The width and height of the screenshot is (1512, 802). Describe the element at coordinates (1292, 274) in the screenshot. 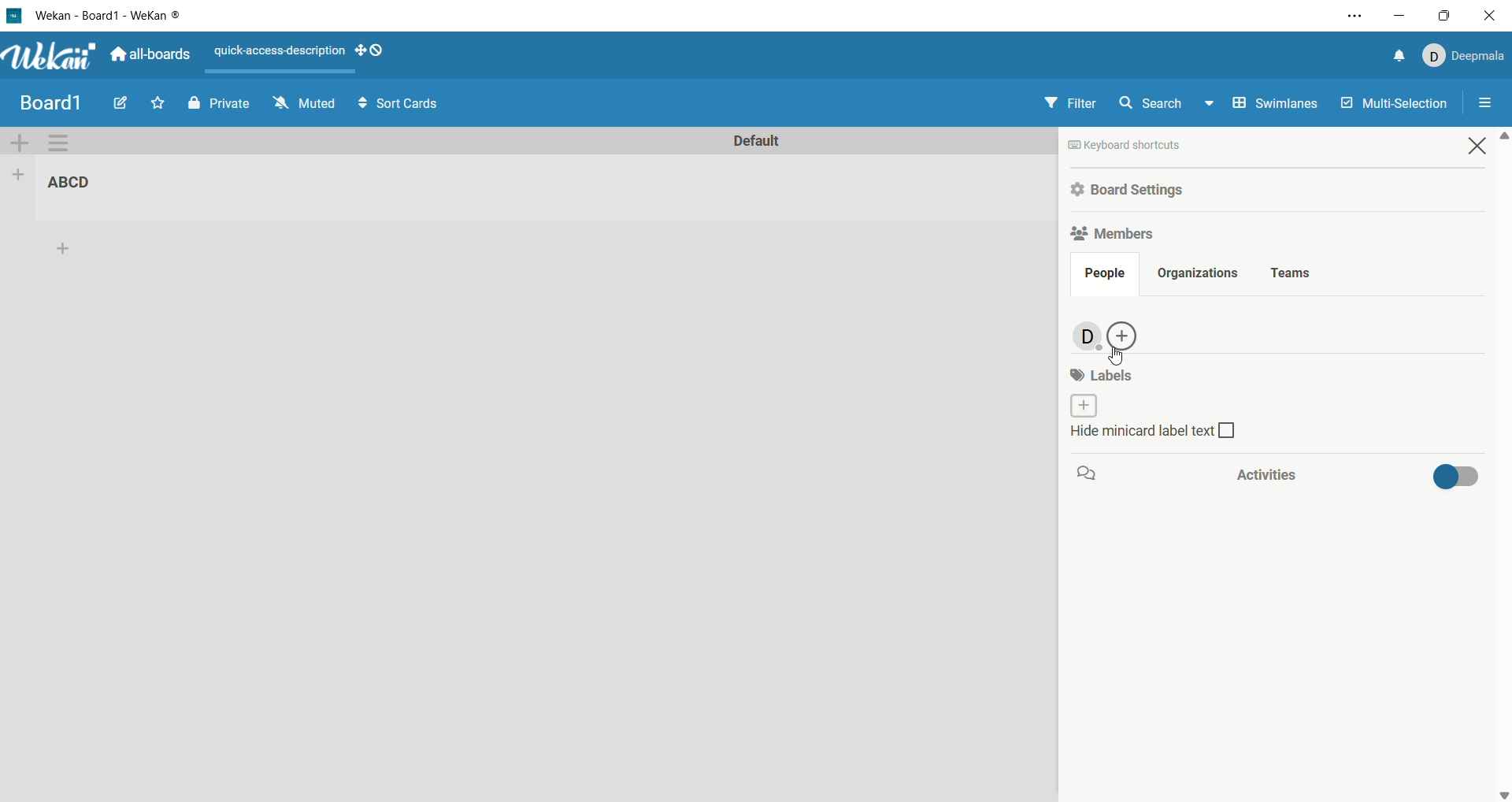

I see `teams` at that location.